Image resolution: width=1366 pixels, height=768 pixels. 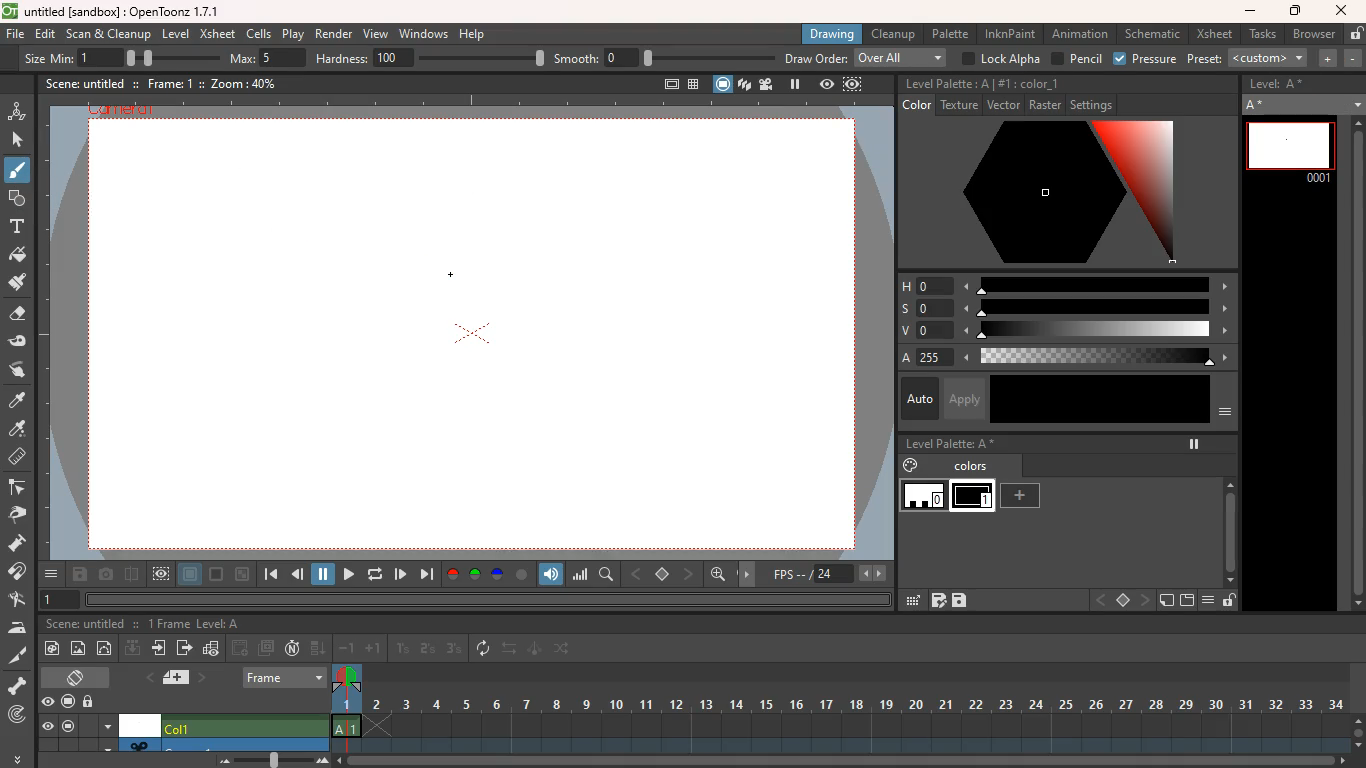 I want to click on pump, so click(x=23, y=544).